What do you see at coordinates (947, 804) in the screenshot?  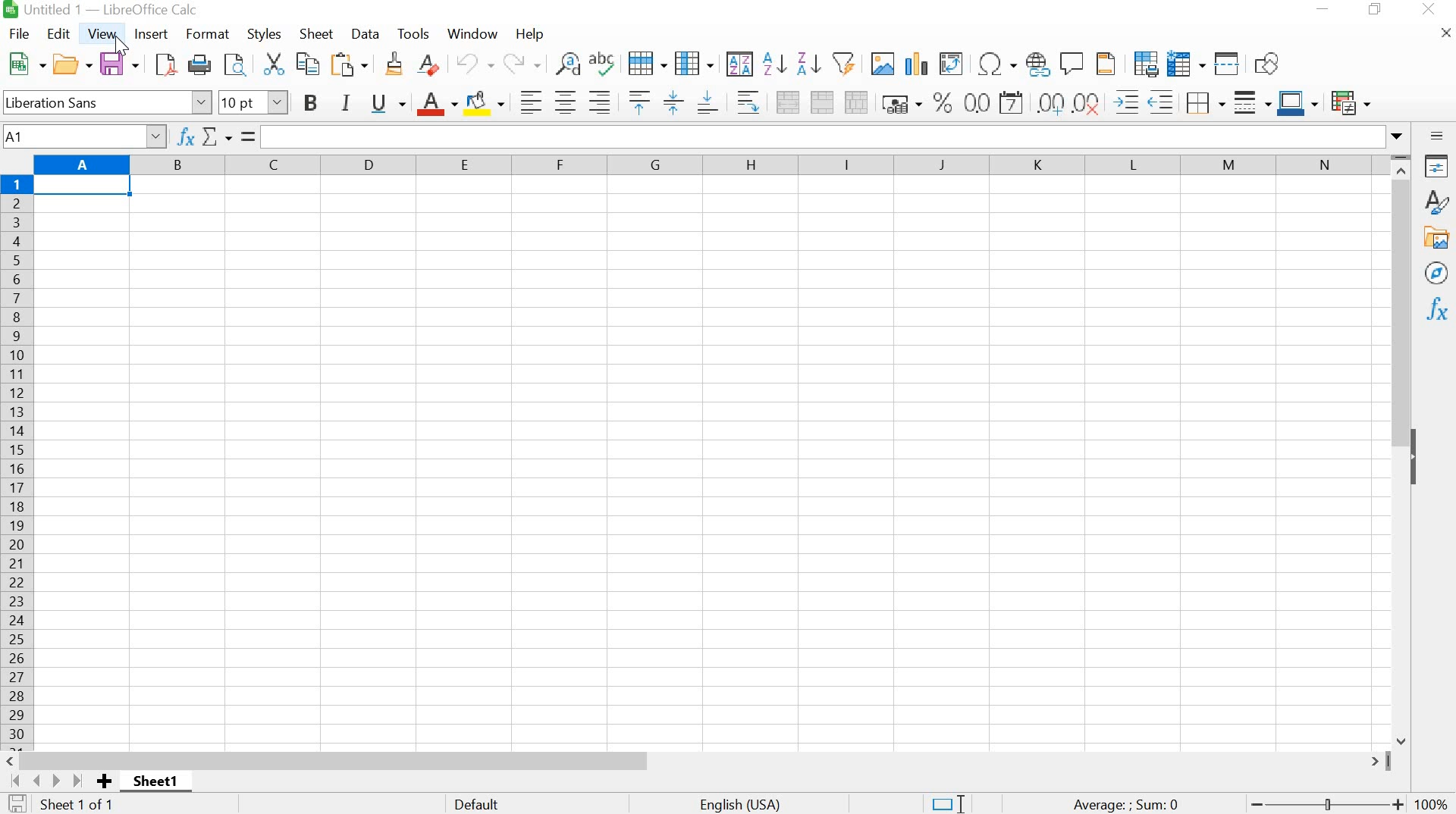 I see `STANDARD SELECTION` at bounding box center [947, 804].